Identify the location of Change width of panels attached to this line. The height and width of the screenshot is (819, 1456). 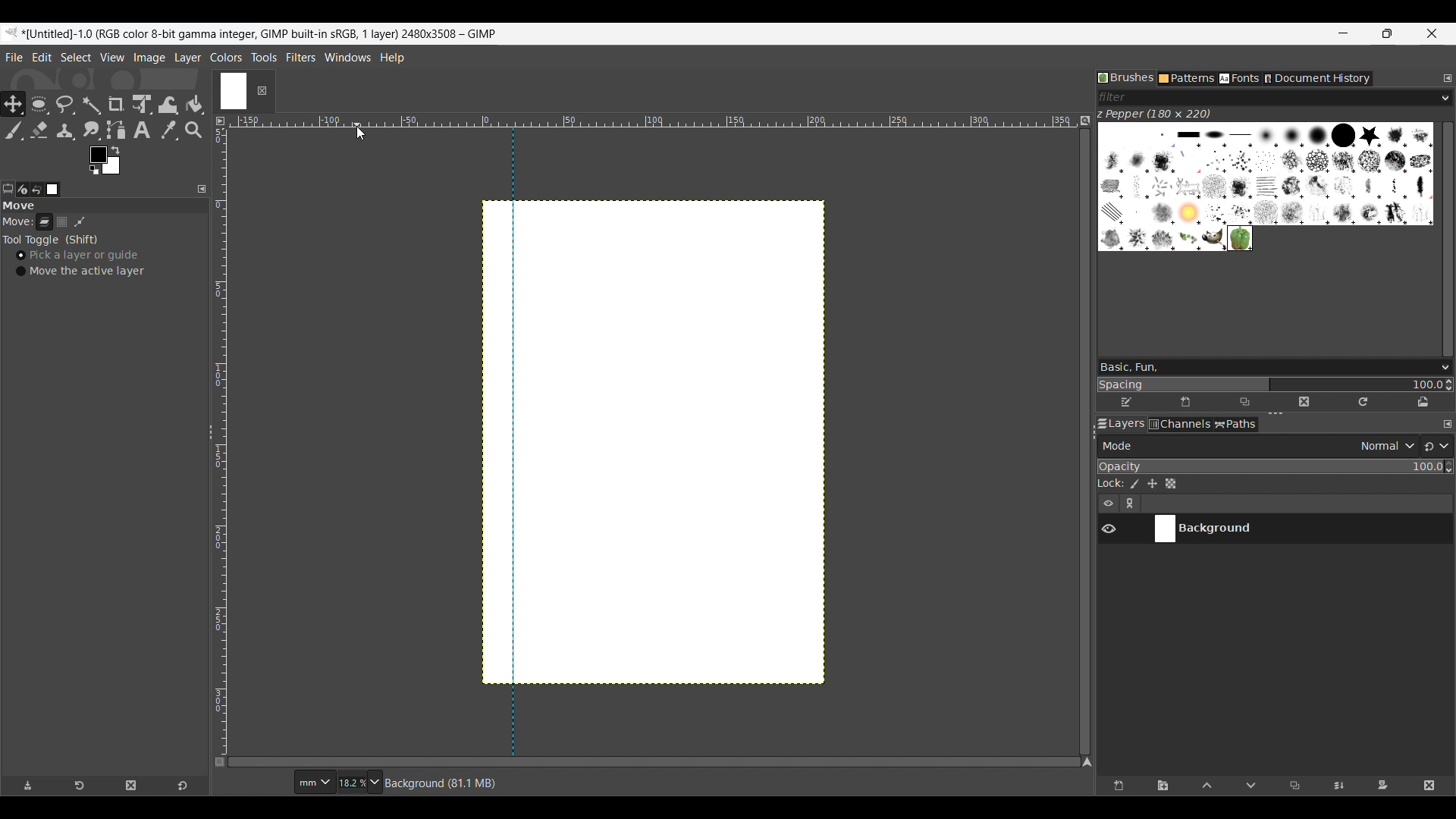
(1079, 437).